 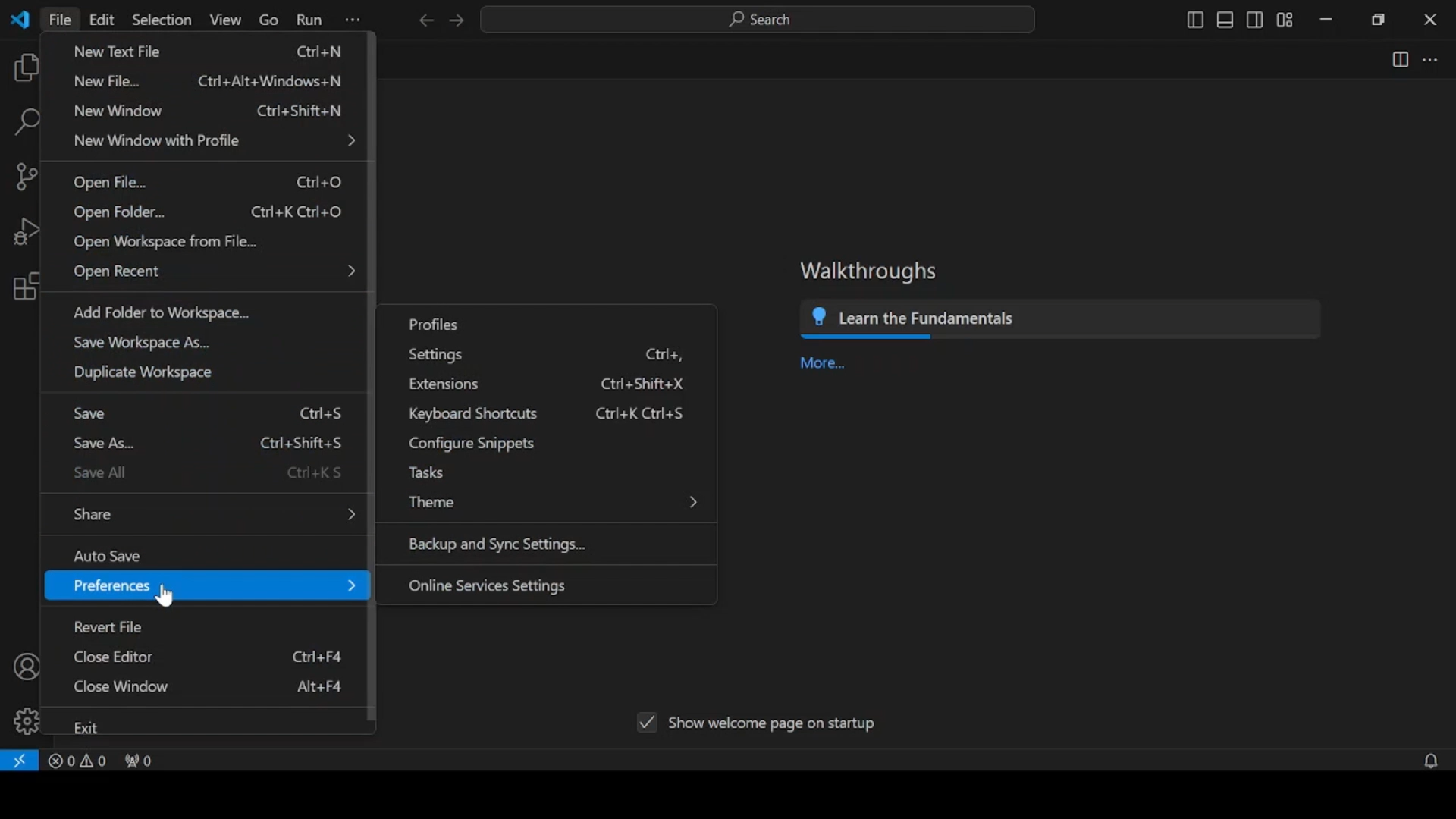 What do you see at coordinates (118, 52) in the screenshot?
I see `new text file` at bounding box center [118, 52].